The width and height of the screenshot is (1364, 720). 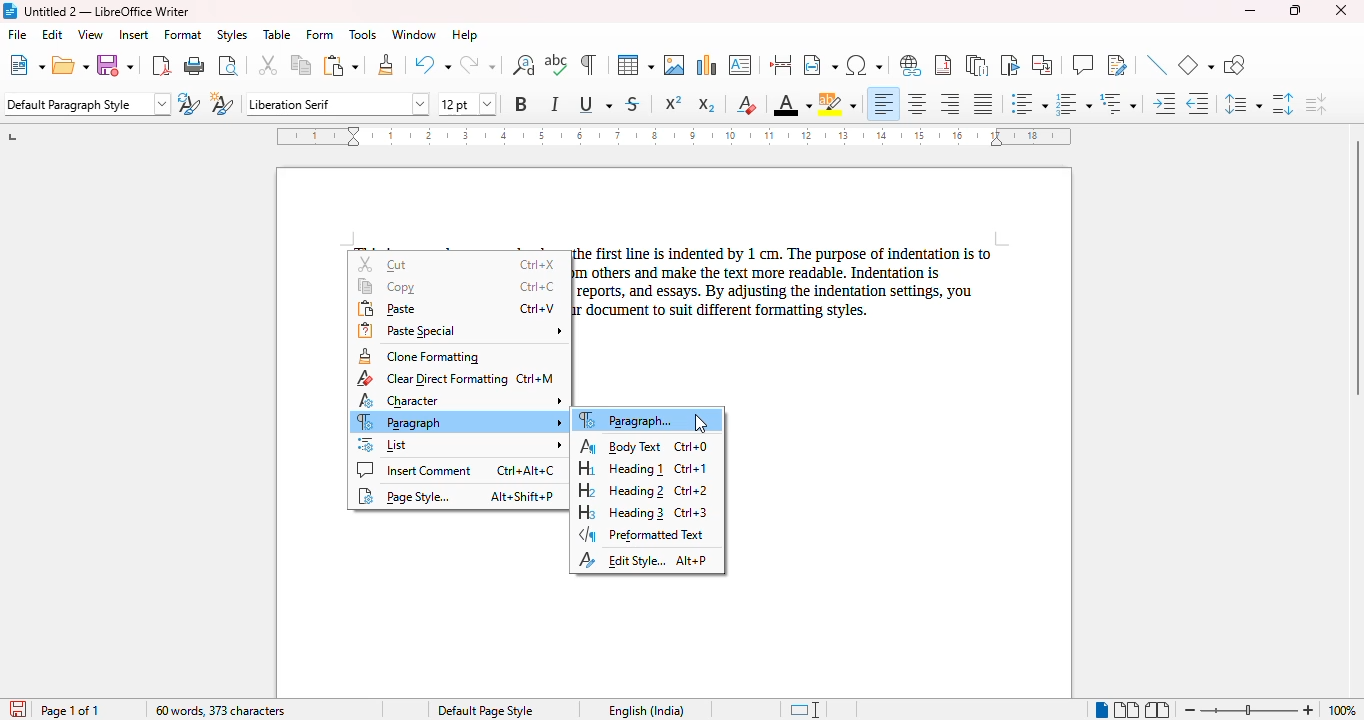 What do you see at coordinates (486, 710) in the screenshot?
I see `page style` at bounding box center [486, 710].